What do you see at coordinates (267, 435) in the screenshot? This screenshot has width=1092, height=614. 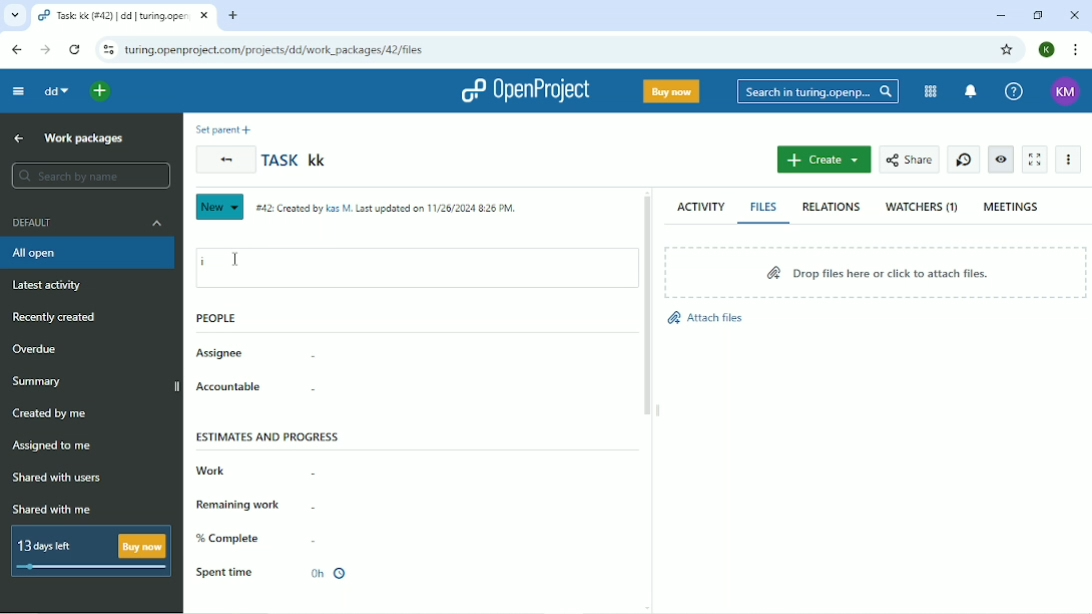 I see `Estimates and progress` at bounding box center [267, 435].